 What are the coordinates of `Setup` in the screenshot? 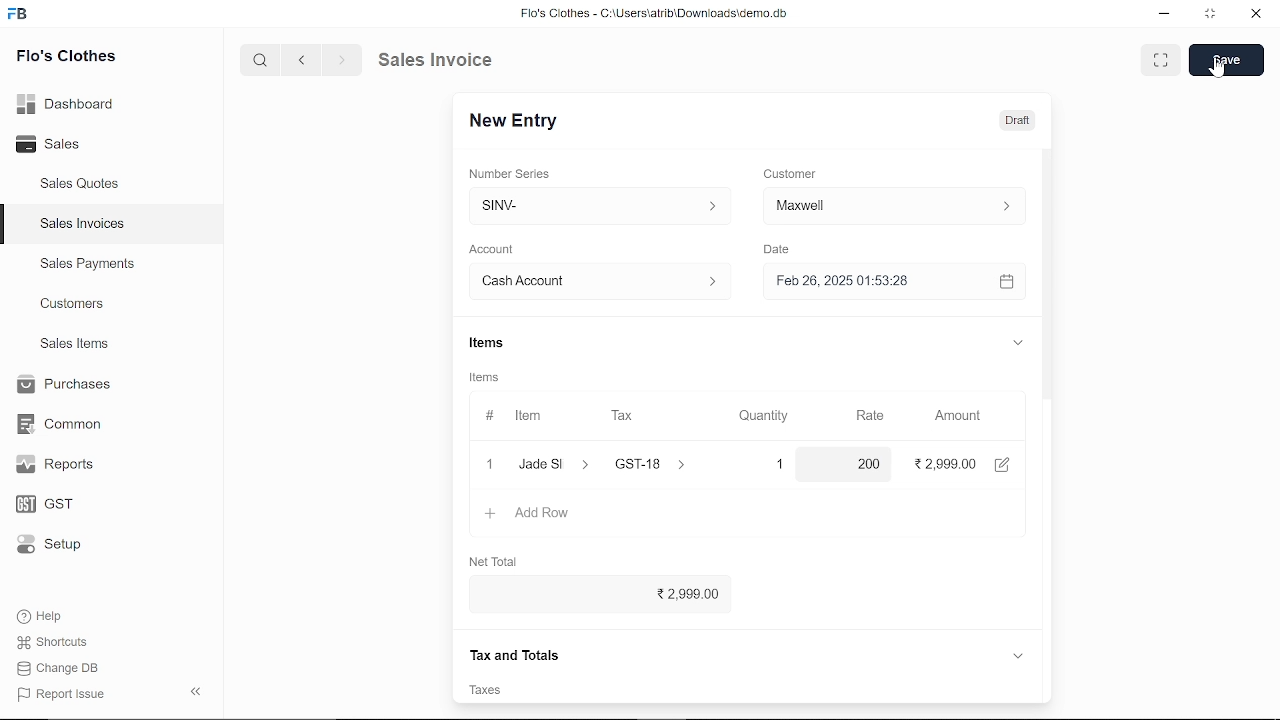 It's located at (63, 546).